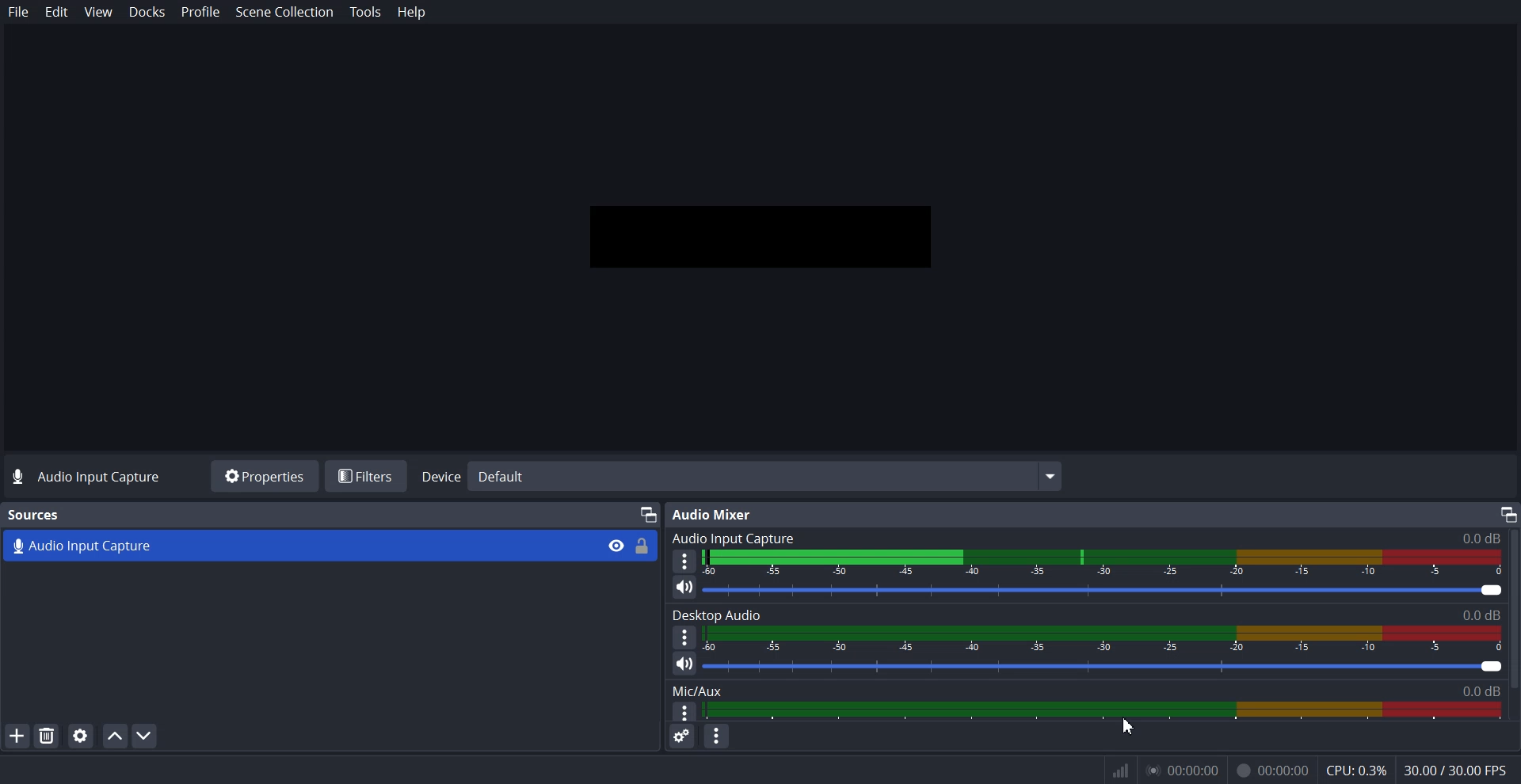  I want to click on Profile, so click(200, 12).